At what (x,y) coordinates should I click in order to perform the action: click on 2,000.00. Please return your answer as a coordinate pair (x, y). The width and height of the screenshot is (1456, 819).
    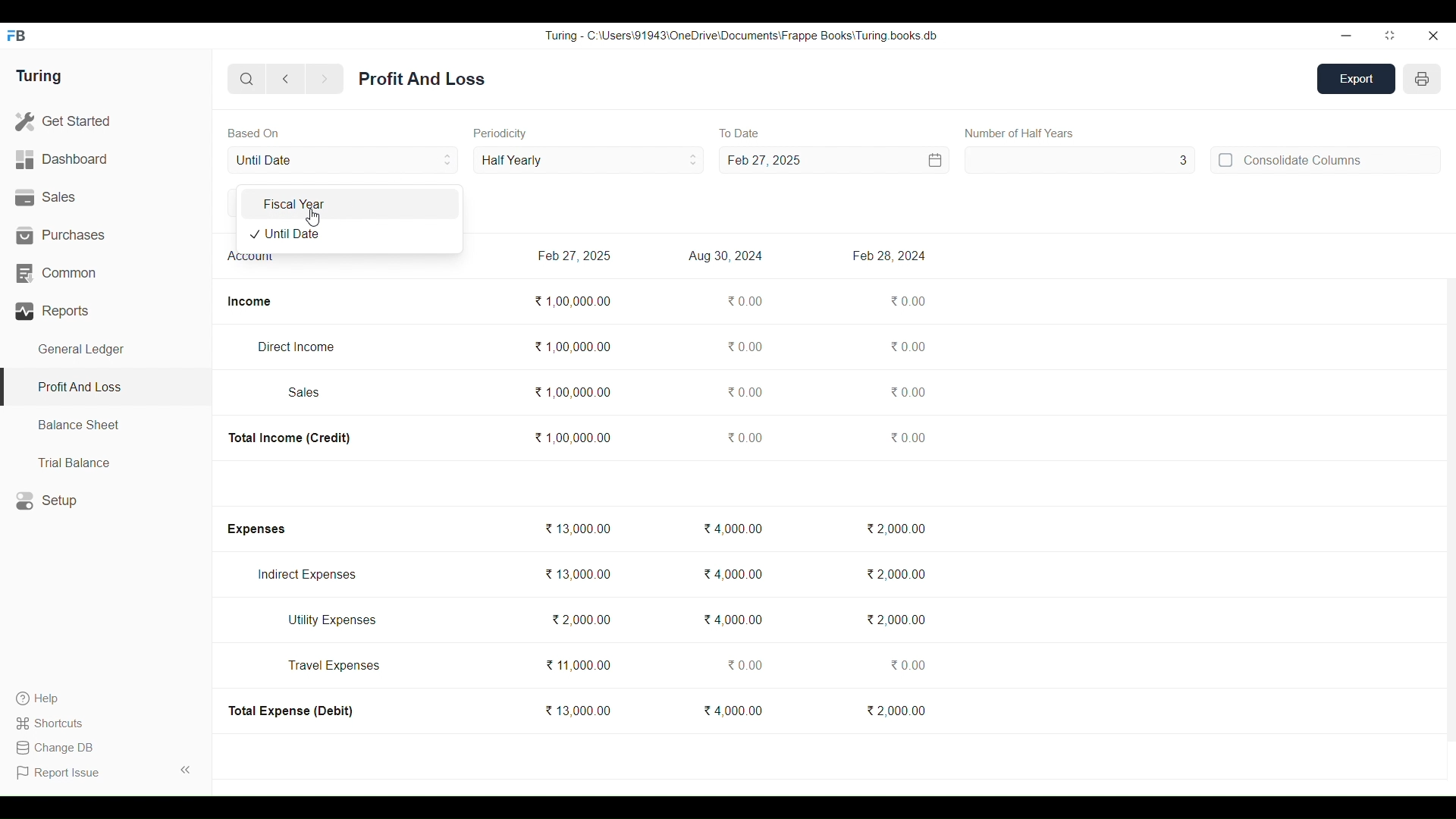
    Looking at the image, I should click on (894, 529).